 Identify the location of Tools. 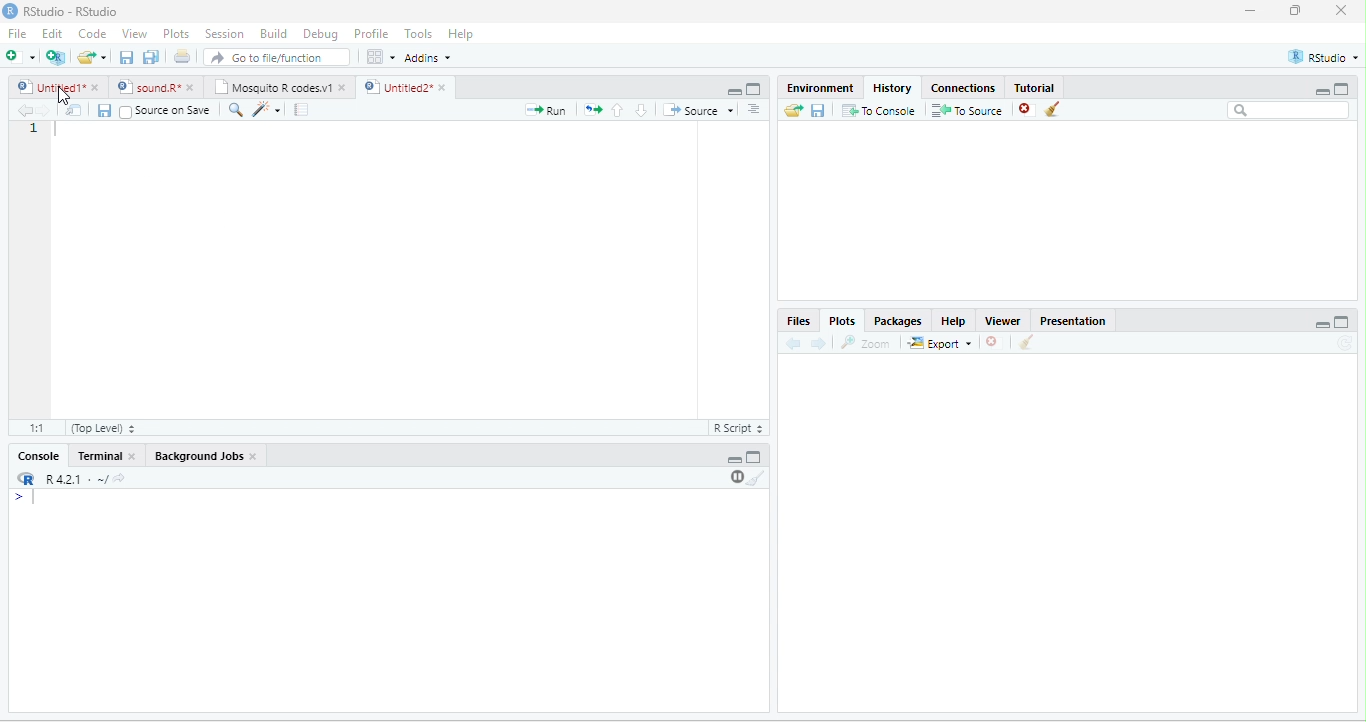
(420, 34).